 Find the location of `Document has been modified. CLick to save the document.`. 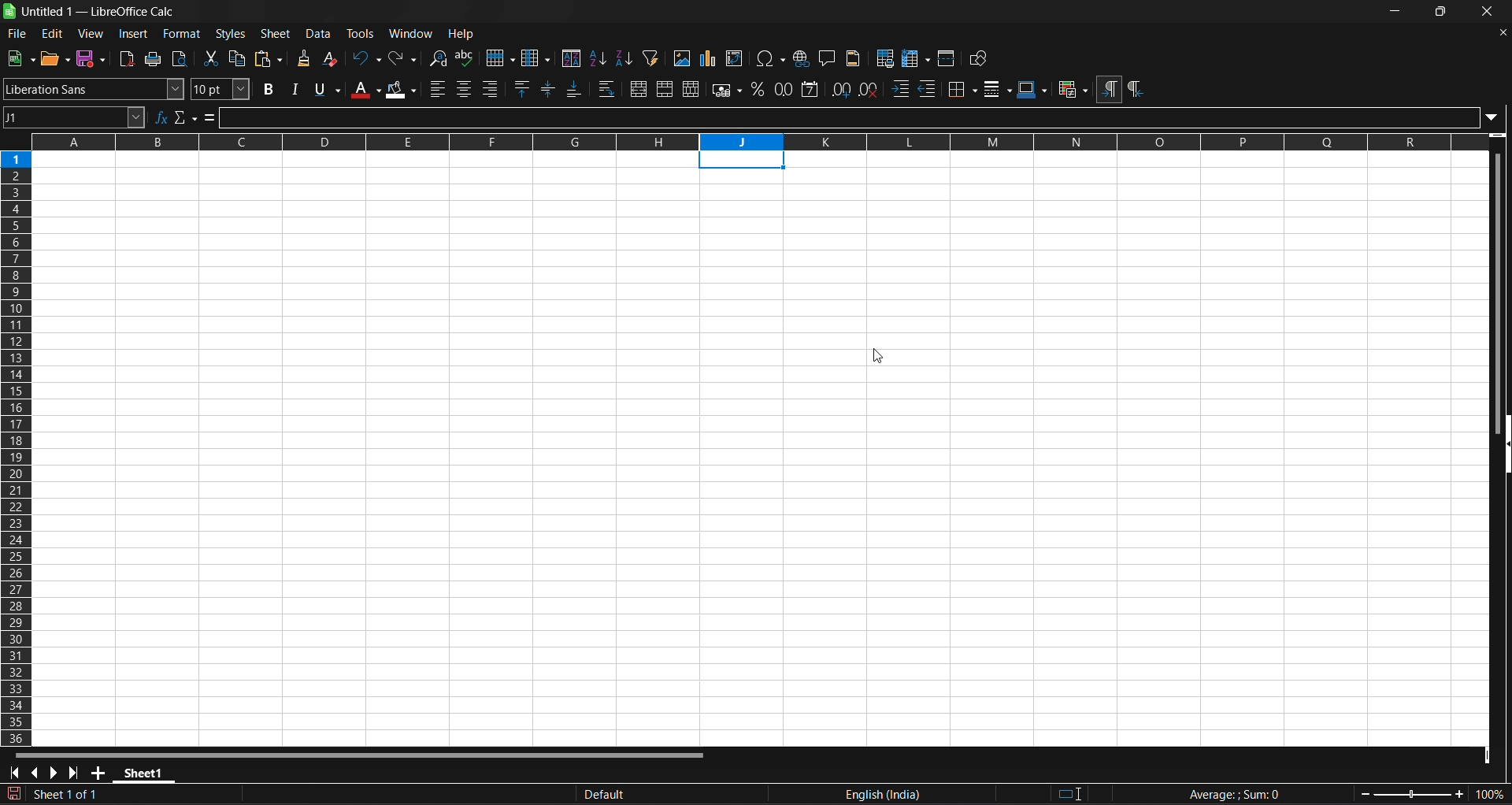

Document has been modified. CLick to save the document. is located at coordinates (276, 796).